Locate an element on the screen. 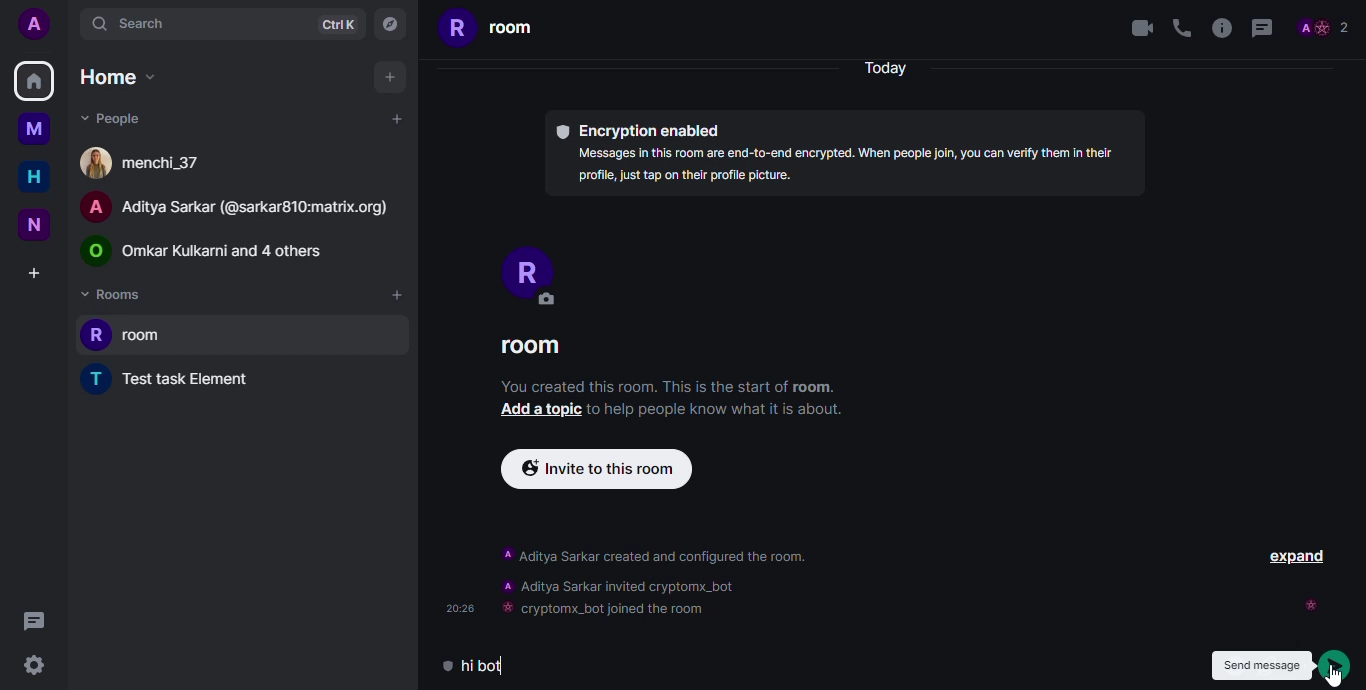 The image size is (1366, 690). You created this room. This is the start of room.
Add a topic to help people know what it is about. is located at coordinates (676, 402).